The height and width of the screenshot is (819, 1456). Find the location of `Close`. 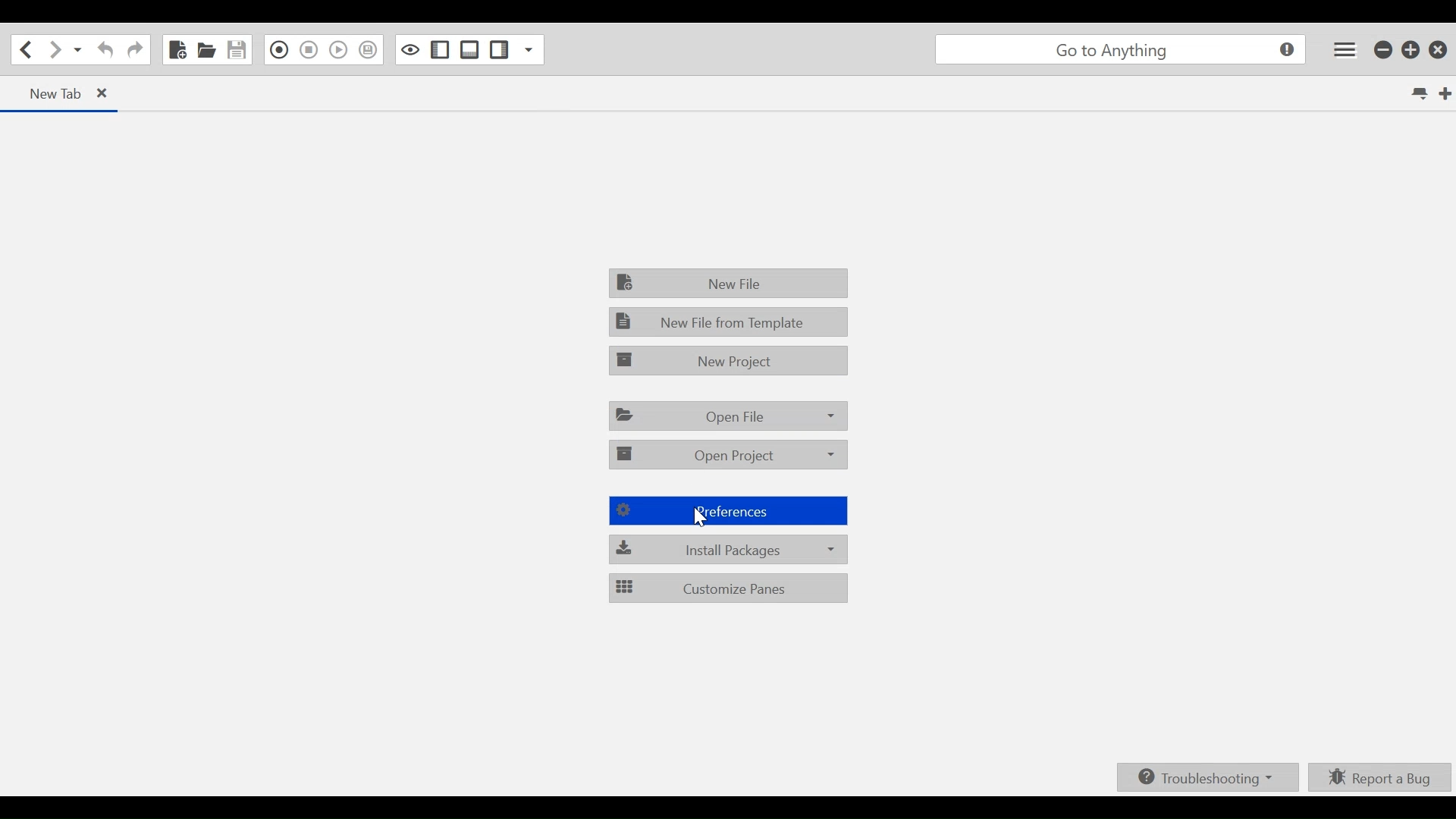

Close is located at coordinates (1437, 49).